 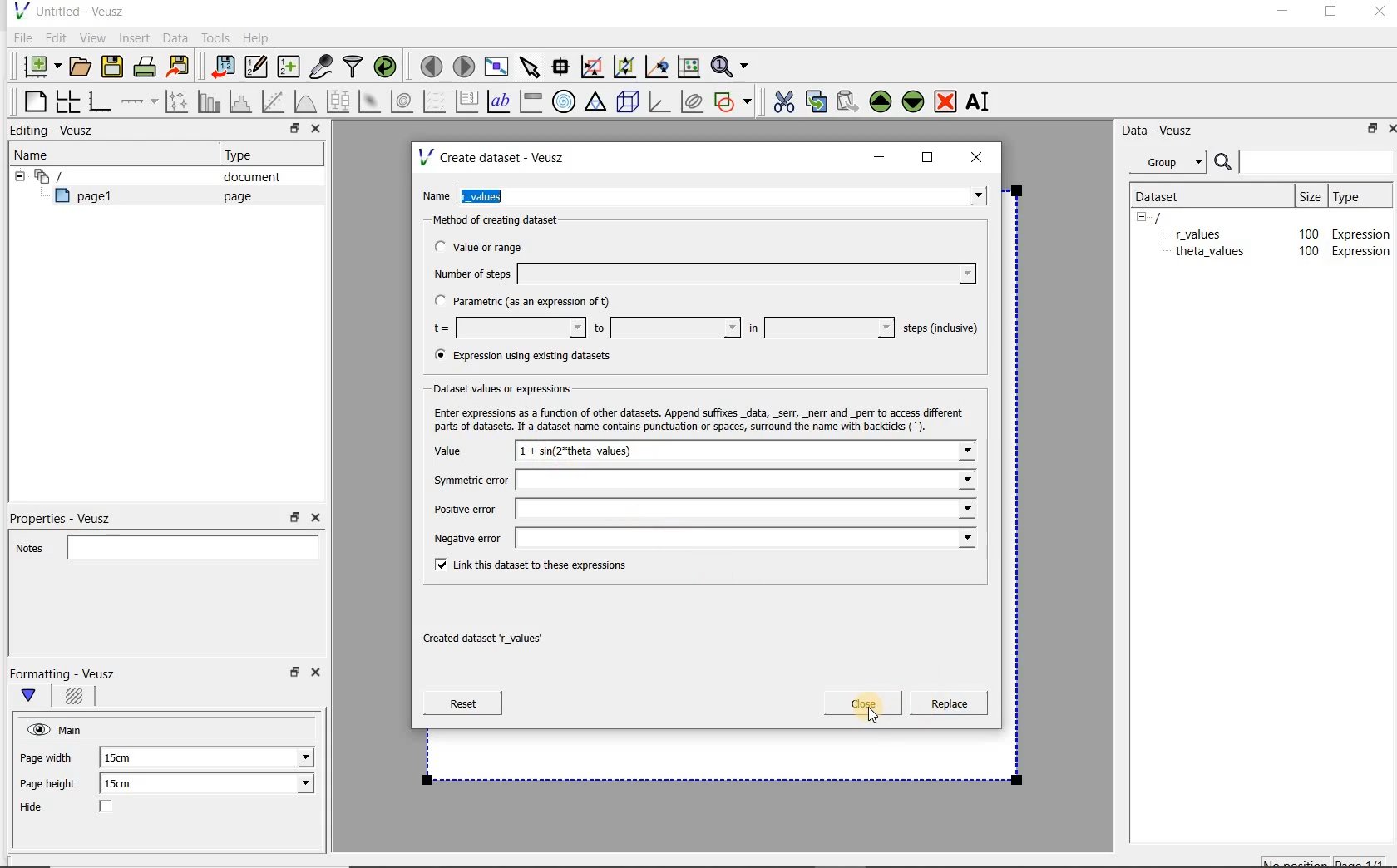 I want to click on in , so click(x=819, y=328).